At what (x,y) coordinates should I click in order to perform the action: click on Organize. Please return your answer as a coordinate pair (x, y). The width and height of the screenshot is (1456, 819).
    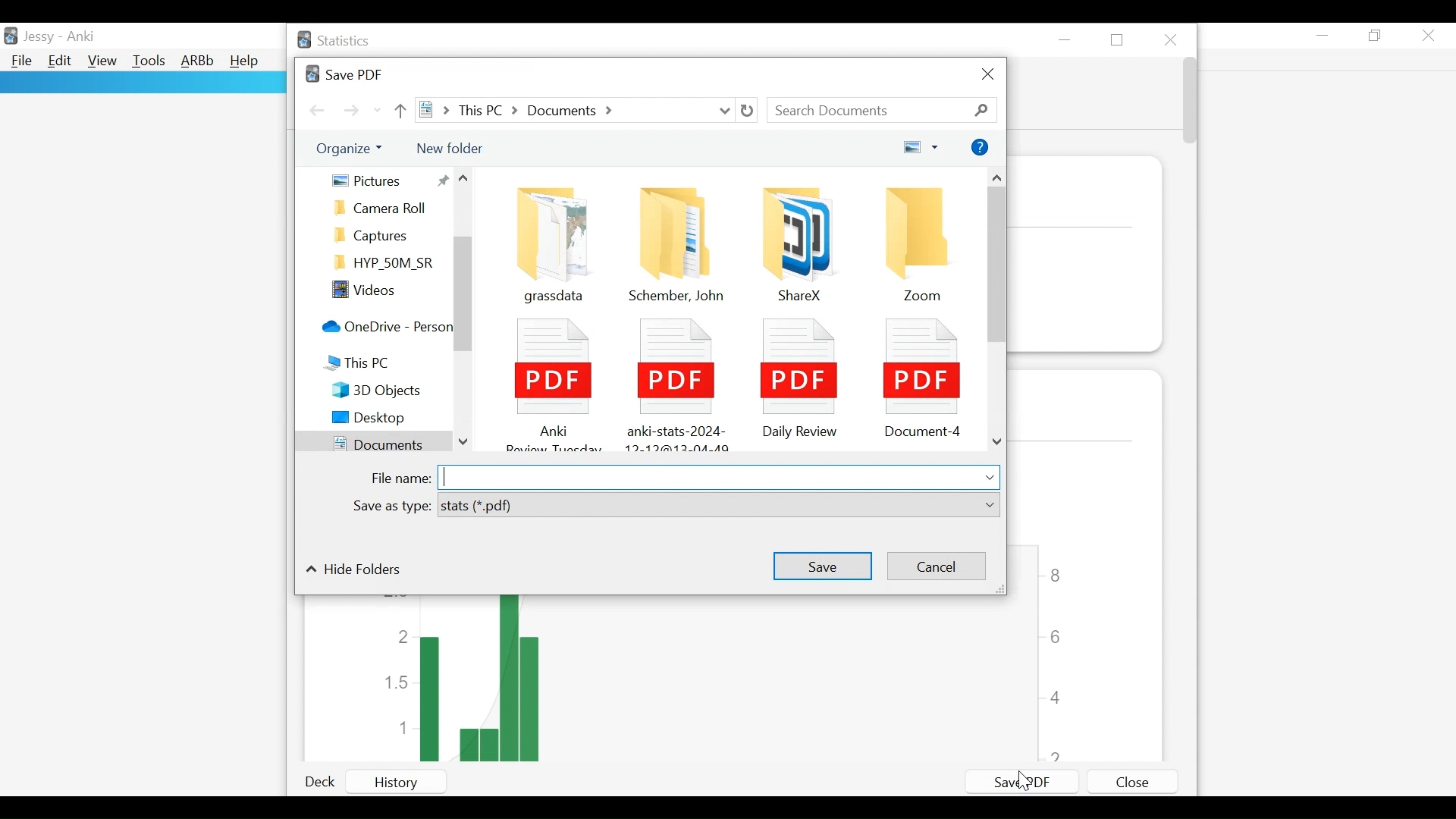
    Looking at the image, I should click on (353, 149).